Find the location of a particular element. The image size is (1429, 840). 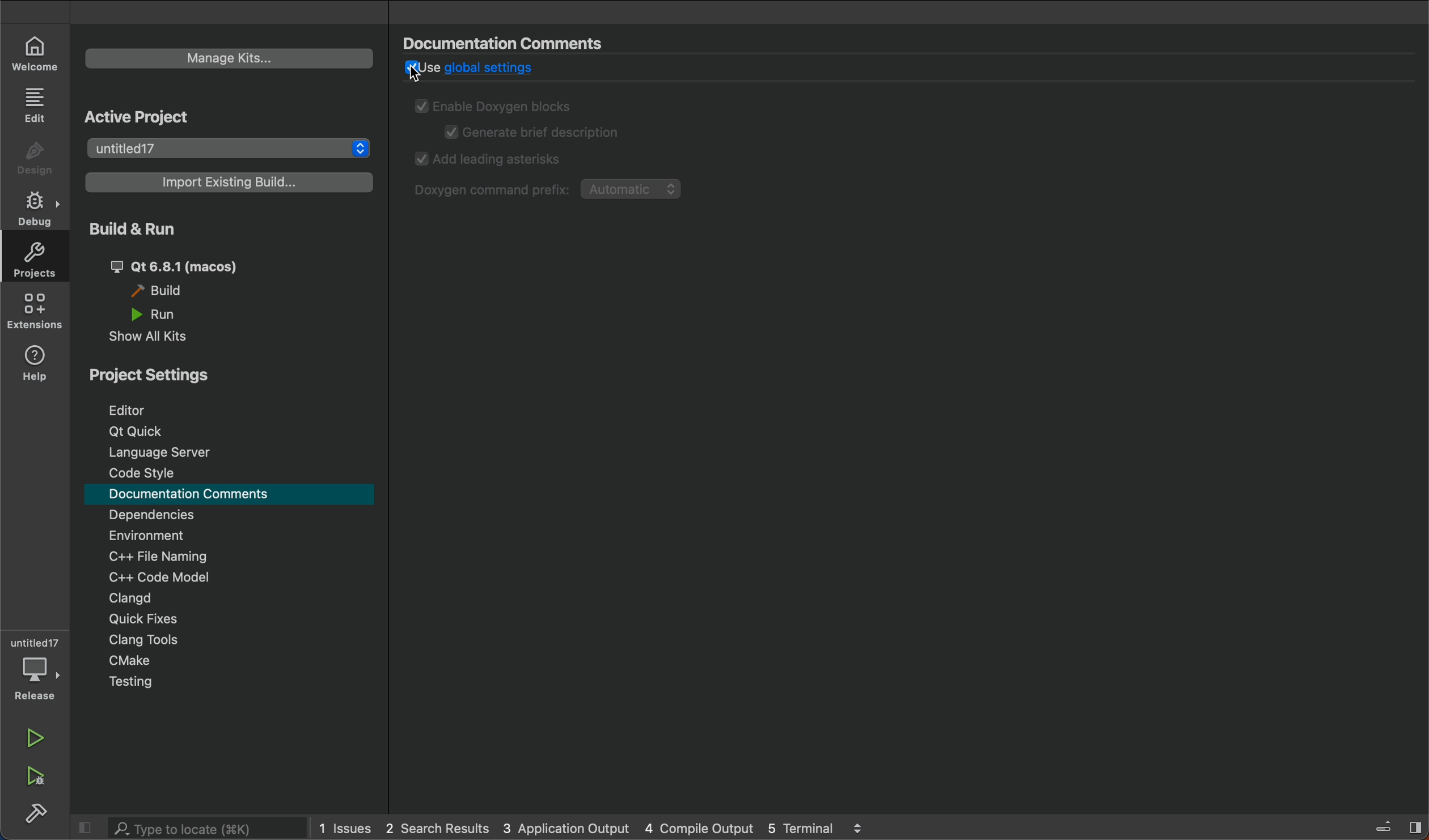

debugger is located at coordinates (34, 667).